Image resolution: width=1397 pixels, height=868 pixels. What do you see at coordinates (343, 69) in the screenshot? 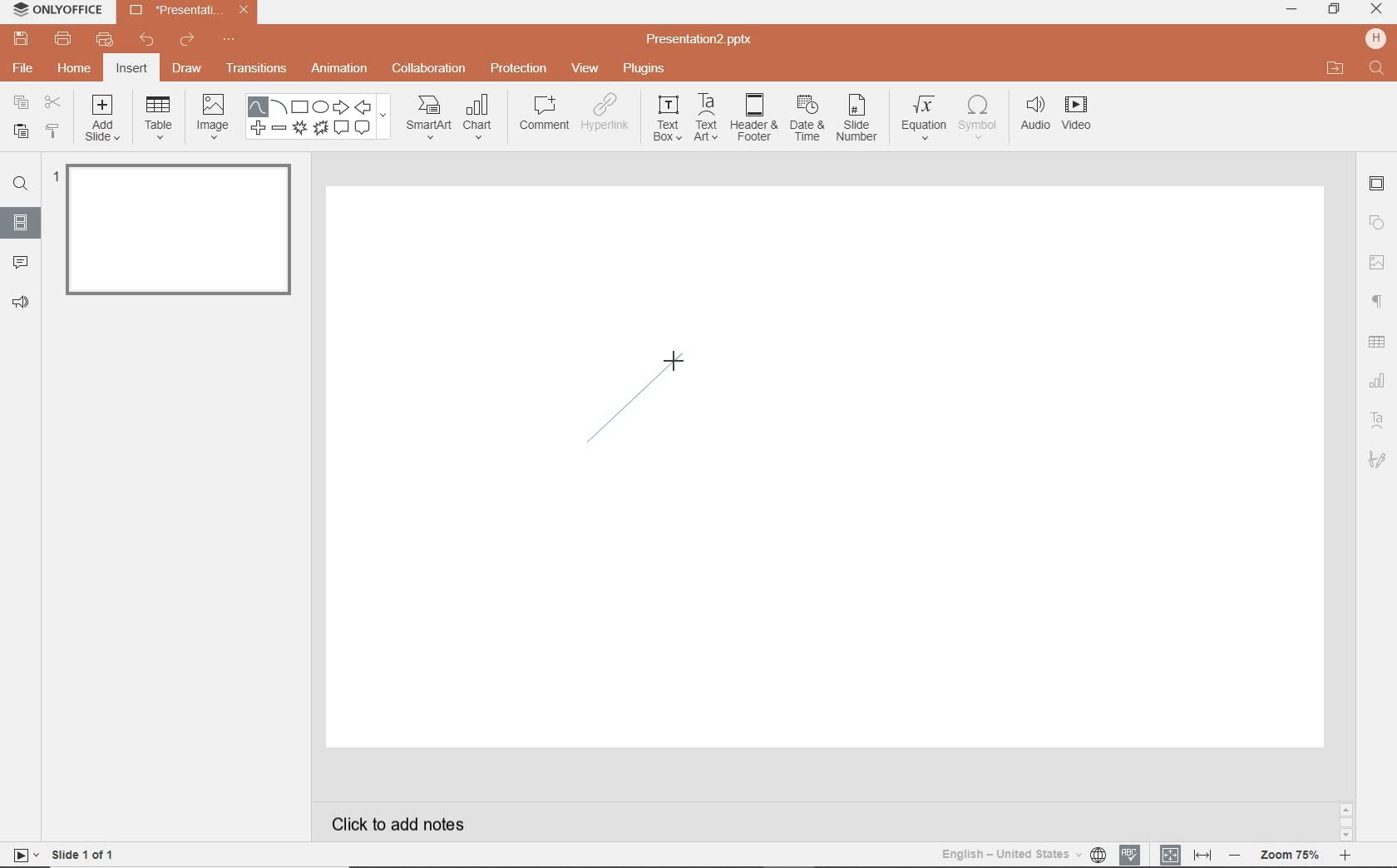
I see `ANIMATION` at bounding box center [343, 69].